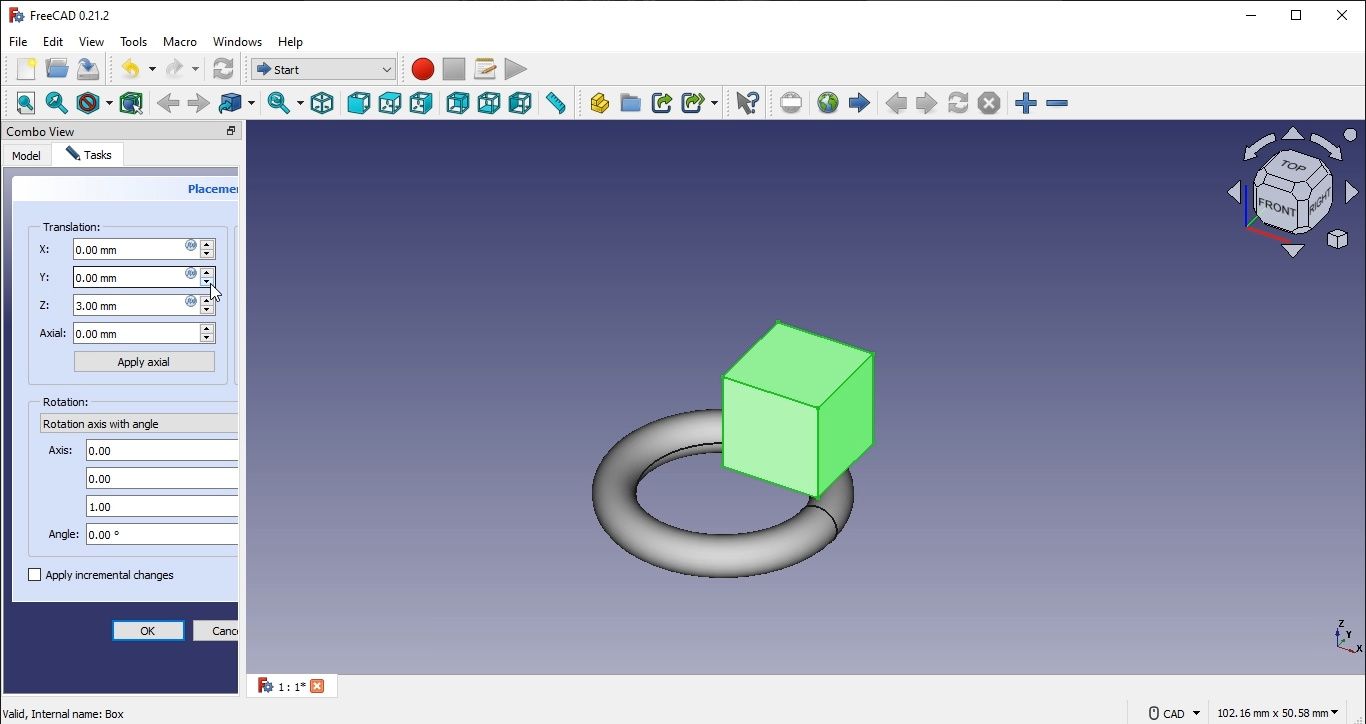 The height and width of the screenshot is (724, 1366). Describe the element at coordinates (320, 67) in the screenshot. I see `workbench` at that location.